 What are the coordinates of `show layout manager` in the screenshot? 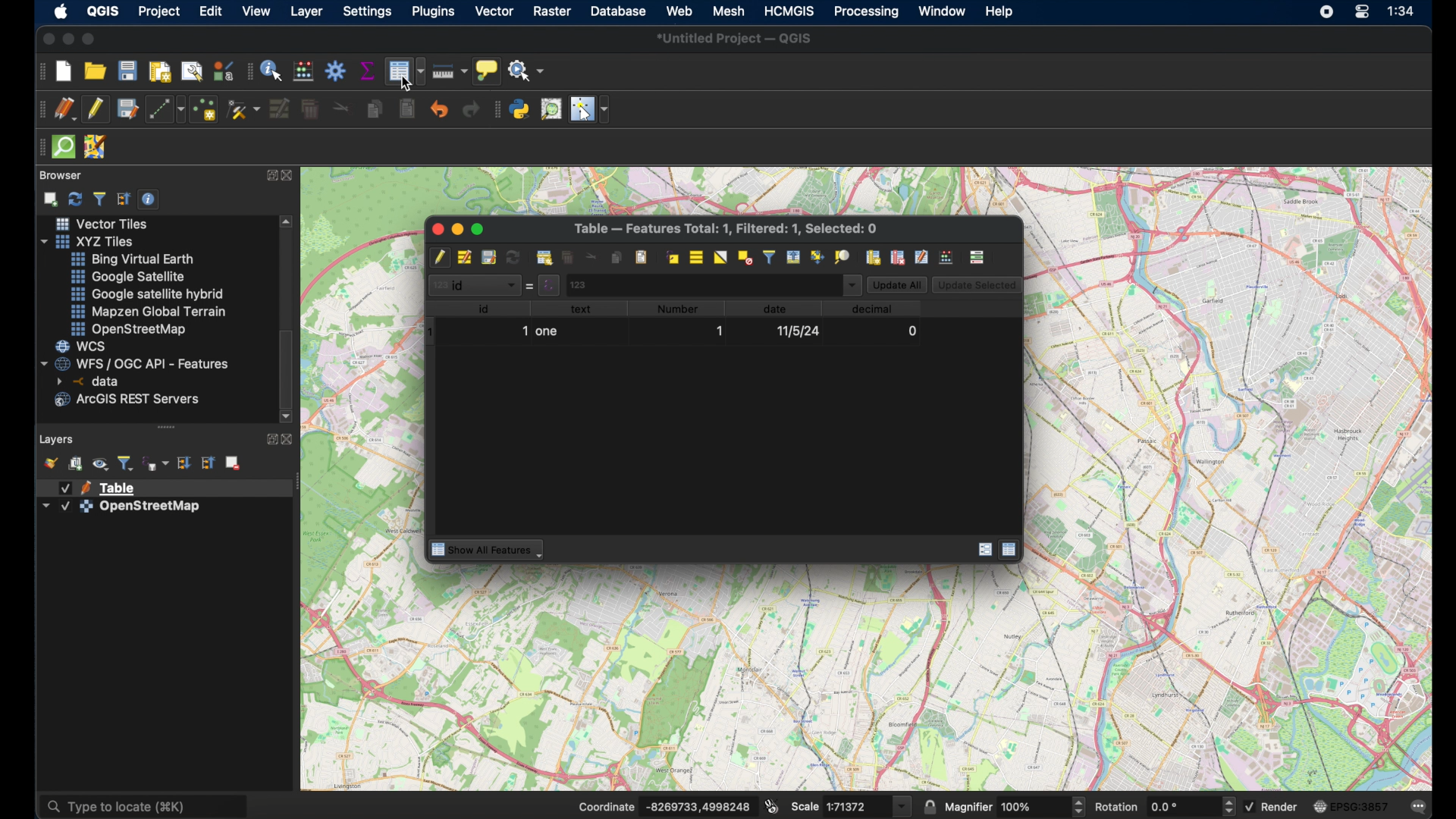 It's located at (192, 72).